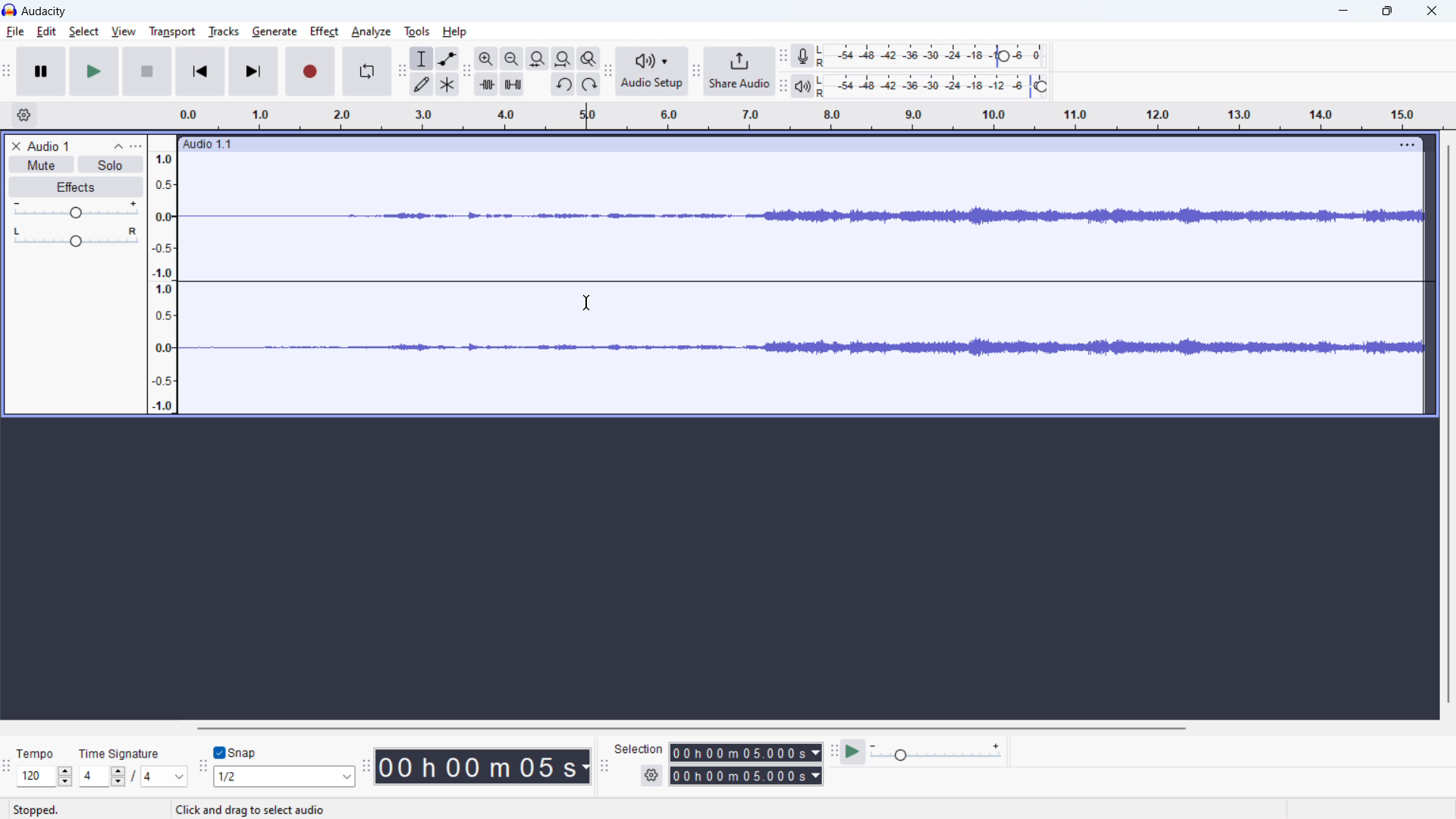  I want to click on waveform, so click(803, 215).